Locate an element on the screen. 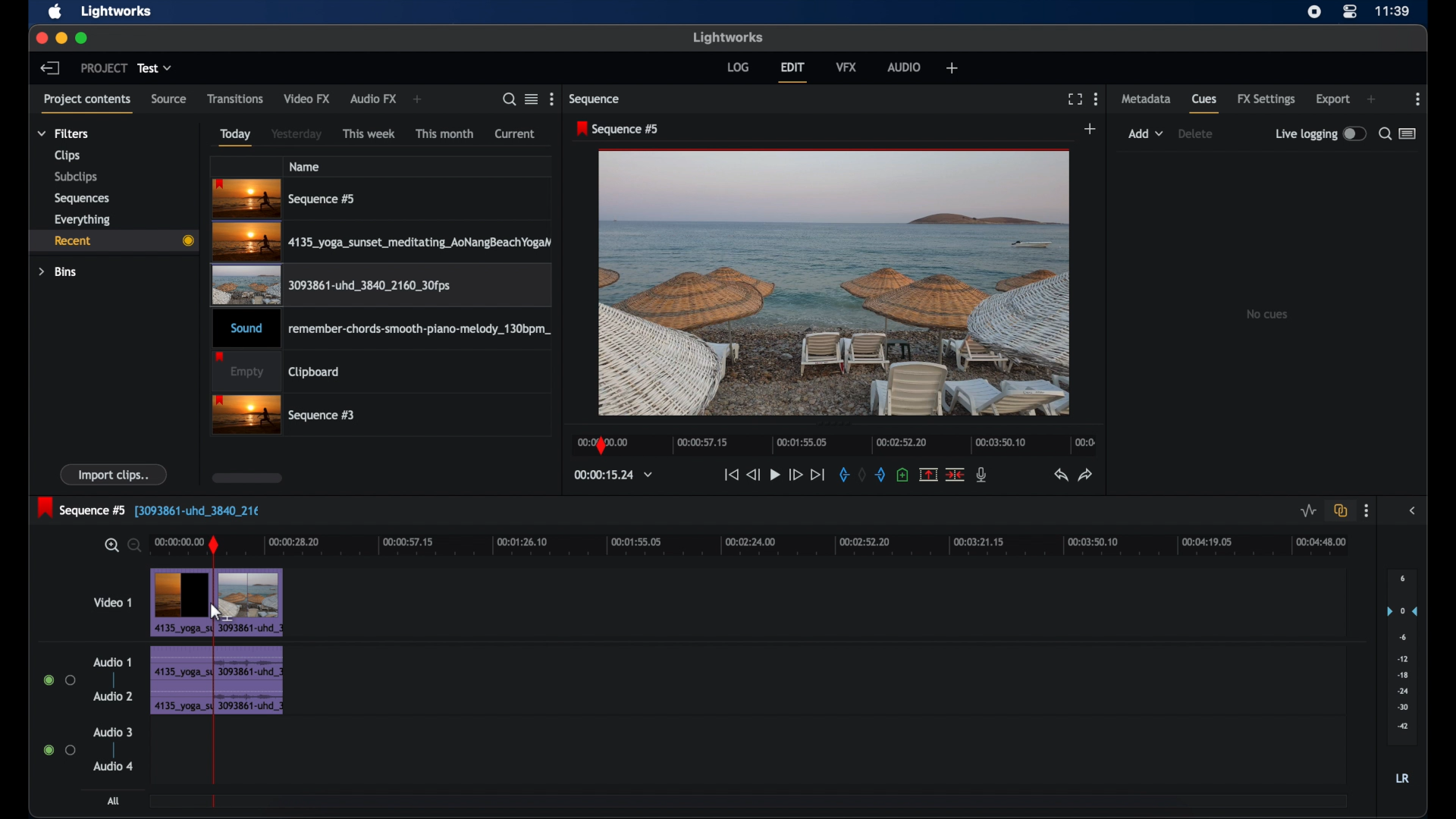 This screenshot has width=1456, height=819. timeline scale is located at coordinates (833, 444).